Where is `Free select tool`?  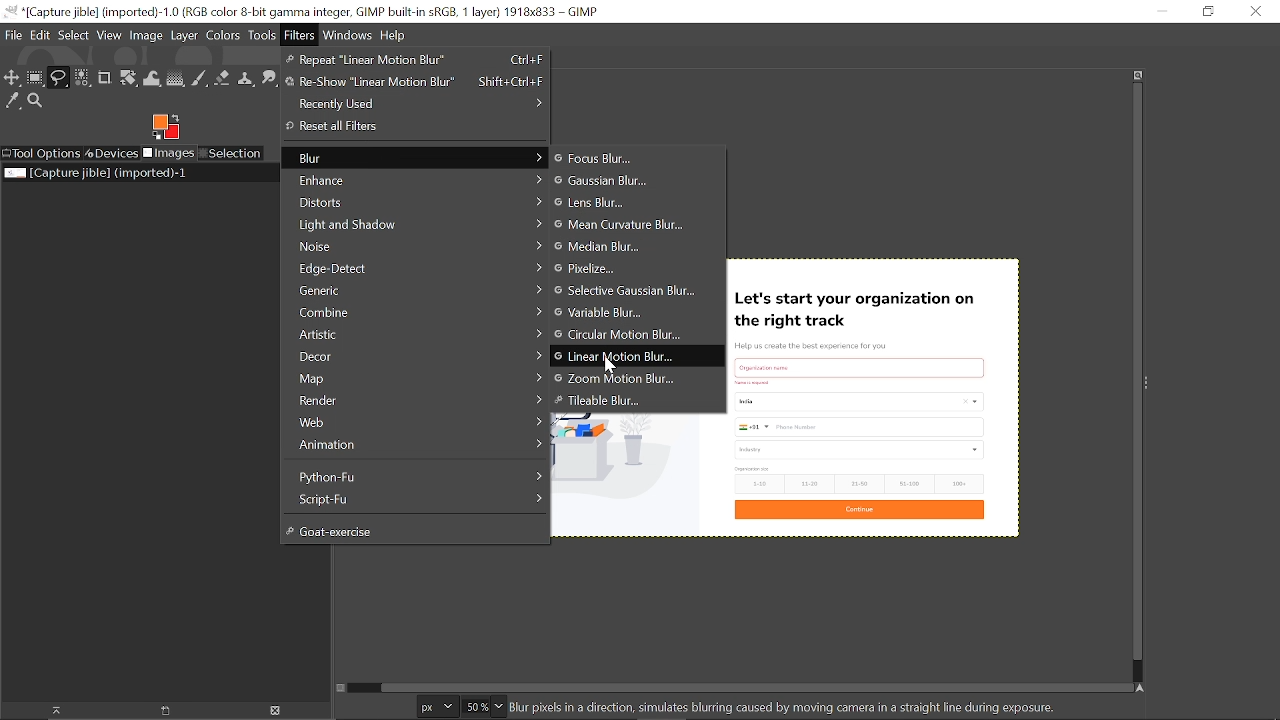
Free select tool is located at coordinates (58, 78).